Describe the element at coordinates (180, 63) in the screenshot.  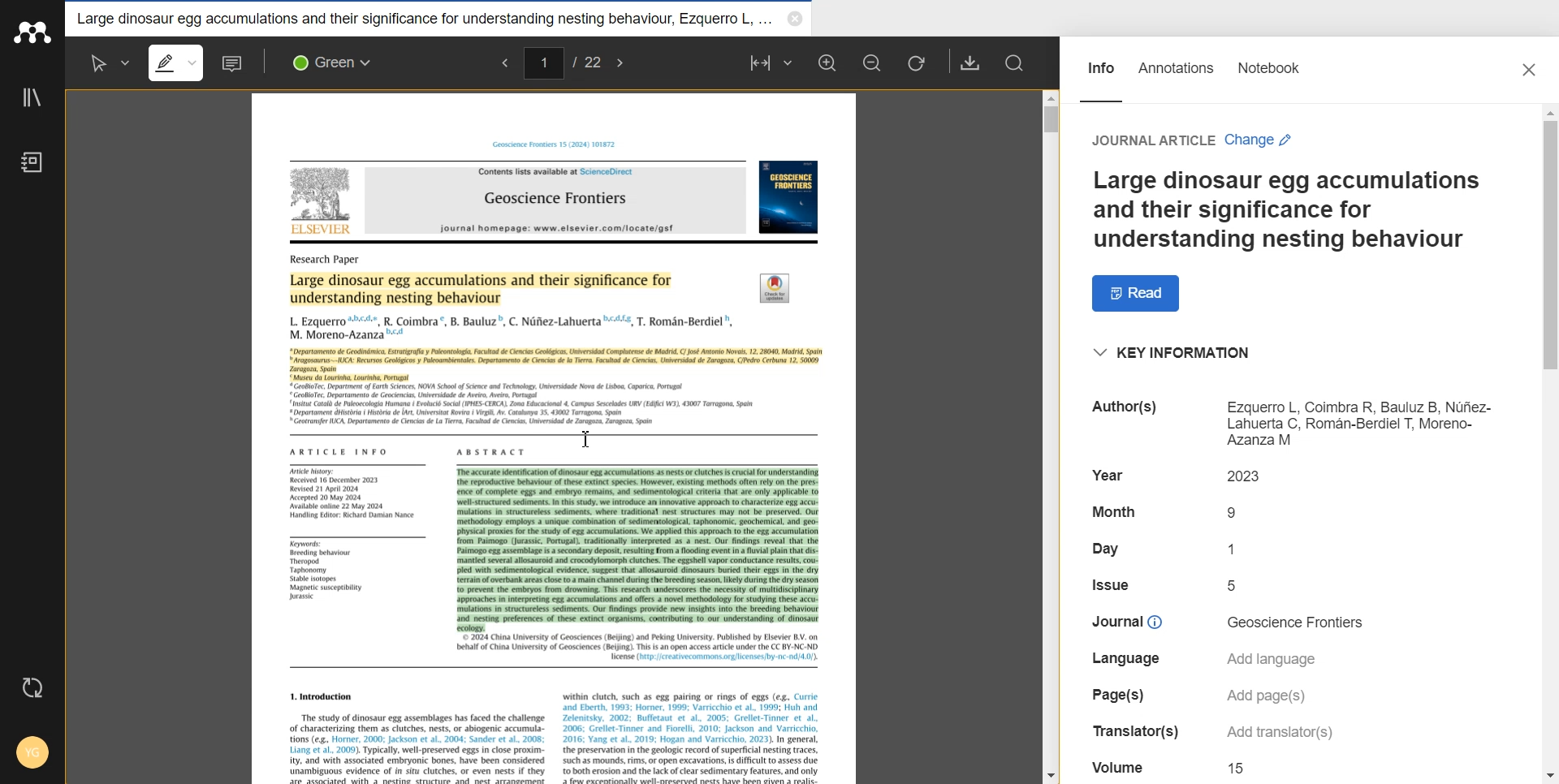
I see `Highlight text` at that location.